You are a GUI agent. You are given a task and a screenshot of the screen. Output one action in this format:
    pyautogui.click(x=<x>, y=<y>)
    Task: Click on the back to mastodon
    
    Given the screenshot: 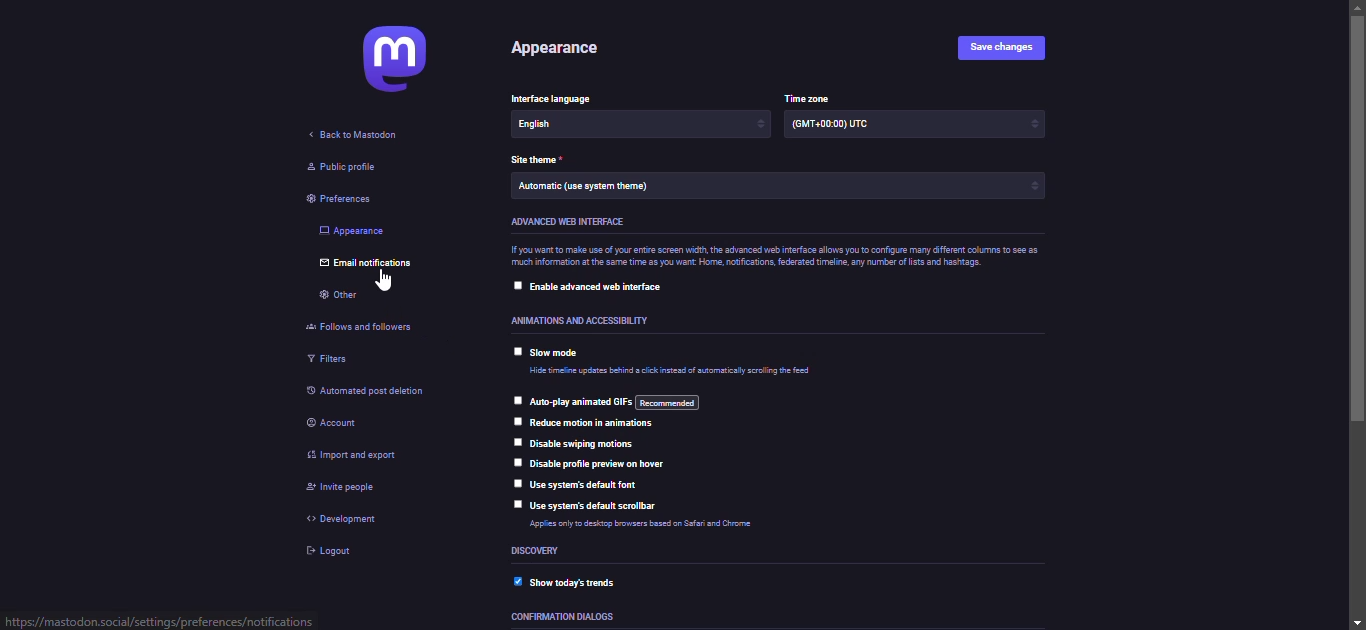 What is the action you would take?
    pyautogui.click(x=357, y=135)
    